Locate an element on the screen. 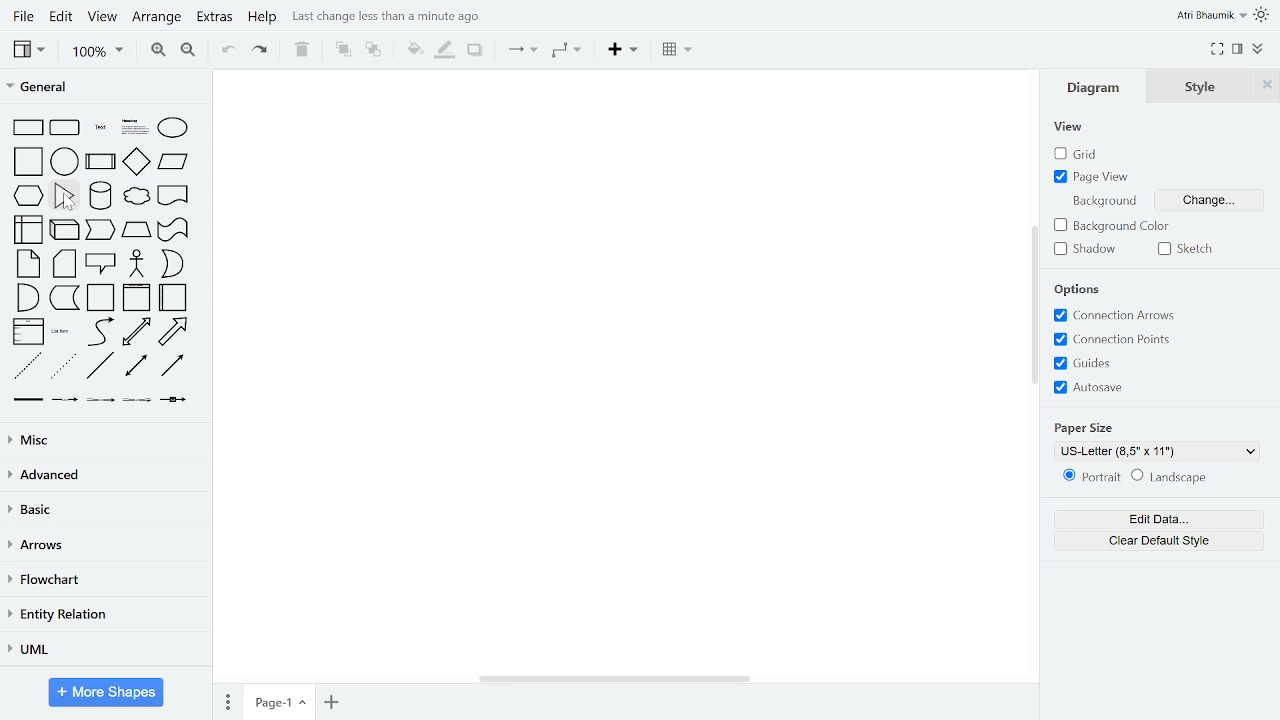  card is located at coordinates (64, 264).